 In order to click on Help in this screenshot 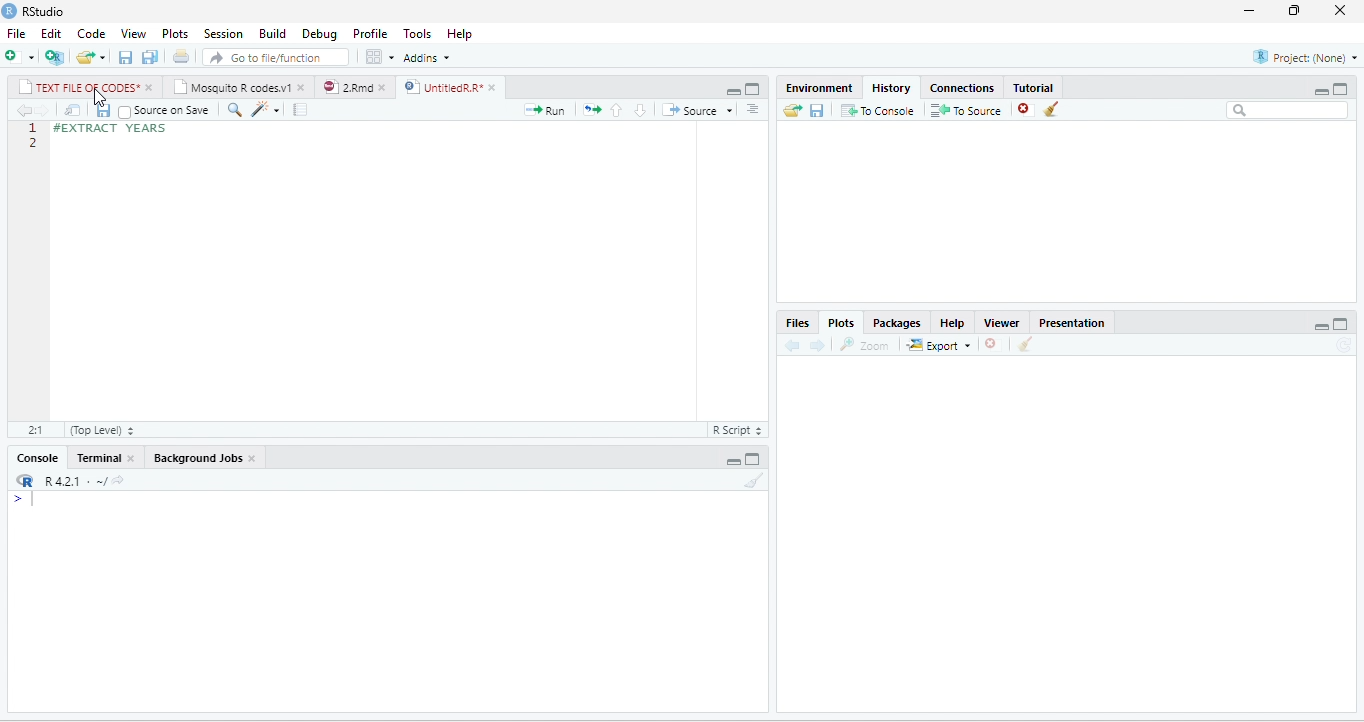, I will do `click(460, 35)`.